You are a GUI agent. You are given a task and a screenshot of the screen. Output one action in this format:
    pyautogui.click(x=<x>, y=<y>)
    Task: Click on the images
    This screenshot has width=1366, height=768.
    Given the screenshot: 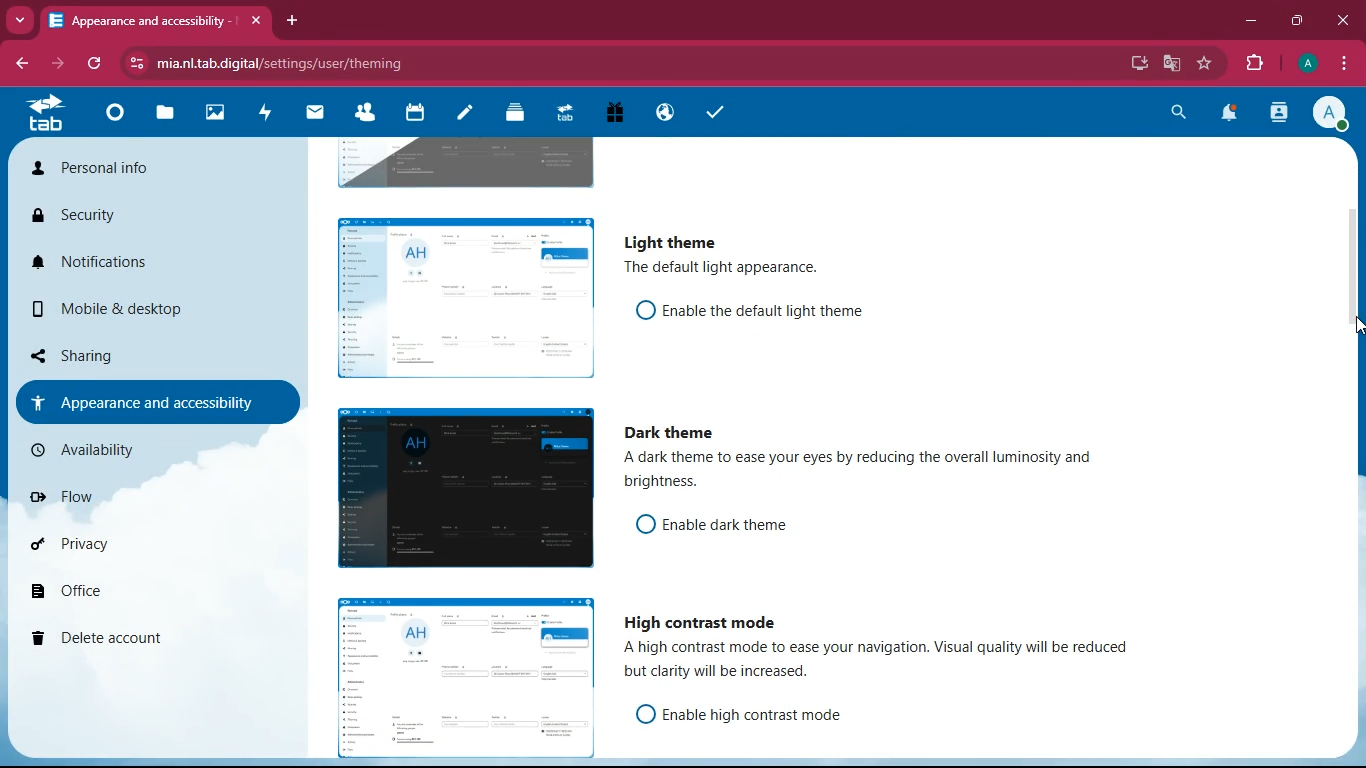 What is the action you would take?
    pyautogui.click(x=211, y=114)
    